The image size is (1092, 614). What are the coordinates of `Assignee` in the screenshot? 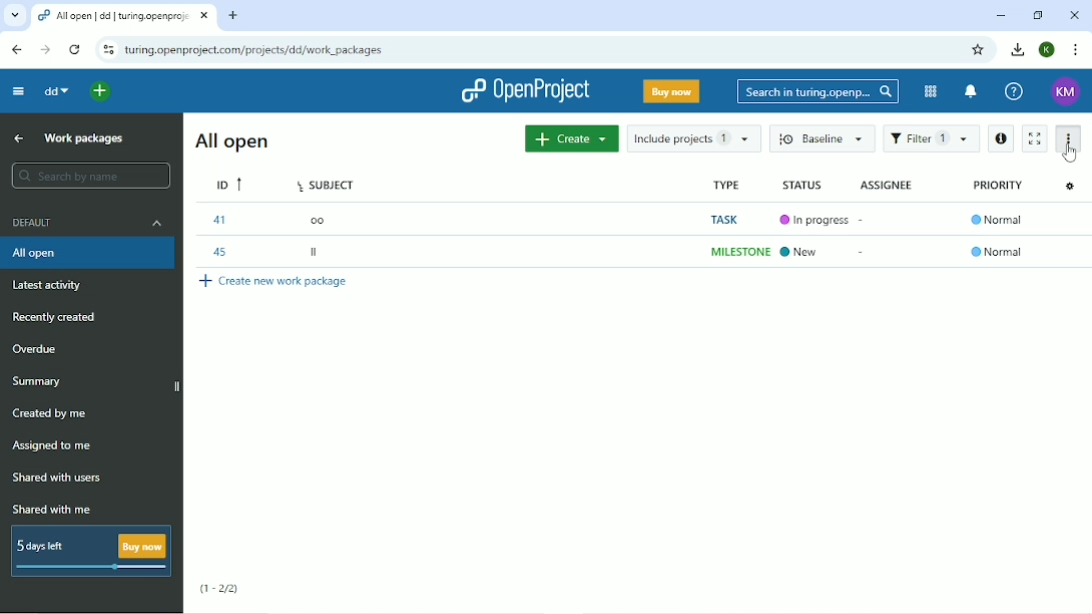 It's located at (889, 185).